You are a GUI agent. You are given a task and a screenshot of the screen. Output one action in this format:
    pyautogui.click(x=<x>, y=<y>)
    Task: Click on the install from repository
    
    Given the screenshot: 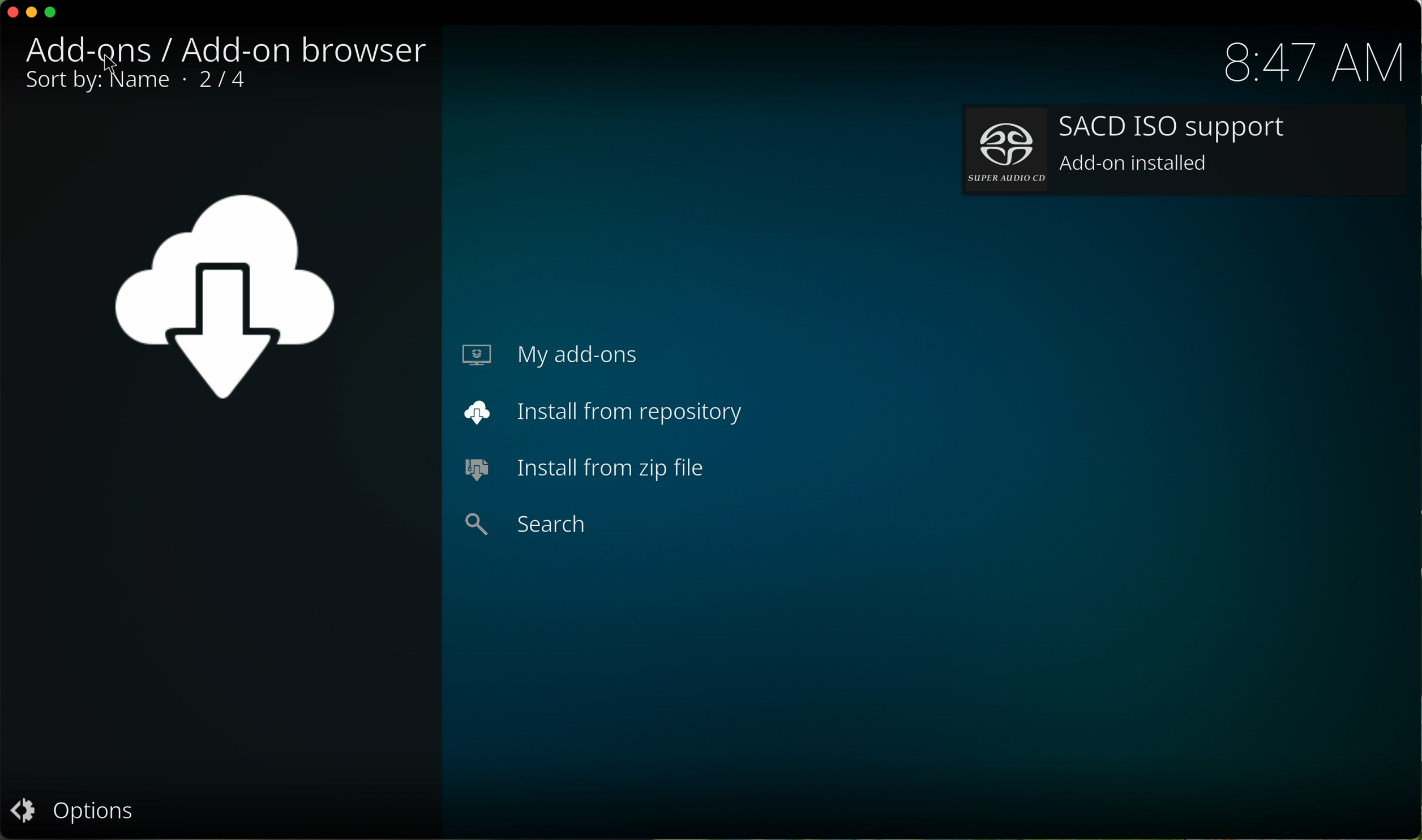 What is the action you would take?
    pyautogui.click(x=620, y=414)
    